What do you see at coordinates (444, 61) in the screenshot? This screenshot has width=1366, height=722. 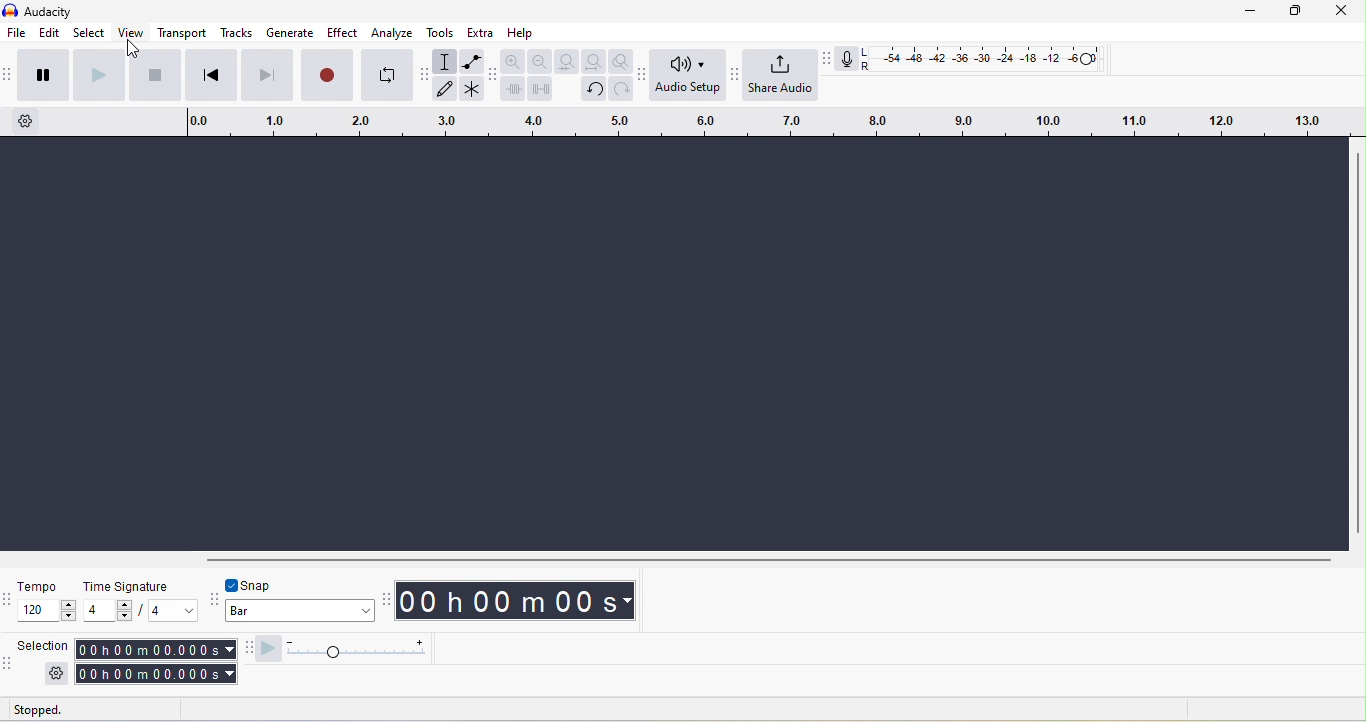 I see `selection tool` at bounding box center [444, 61].